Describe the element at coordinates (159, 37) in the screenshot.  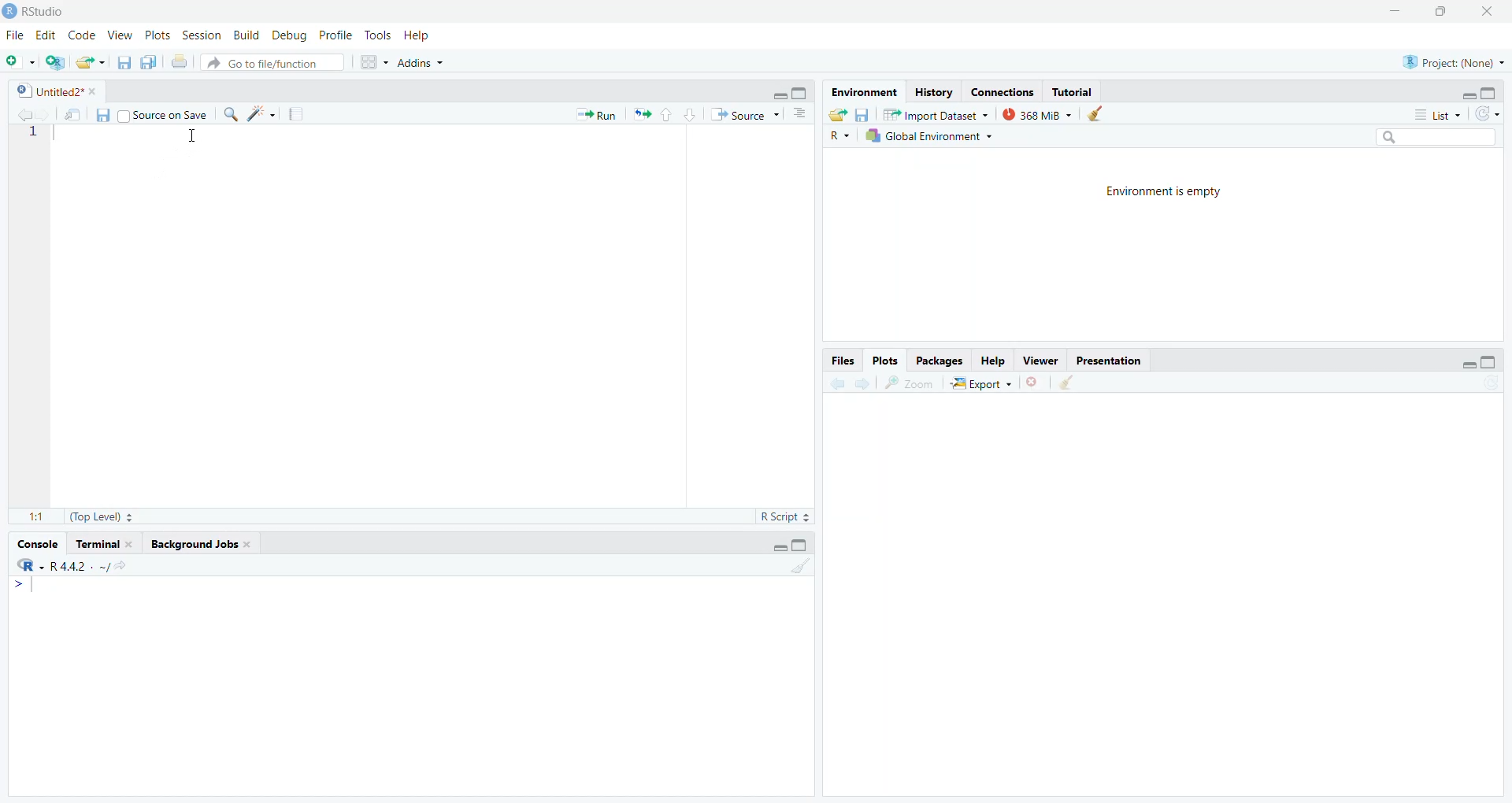
I see `v Plots` at that location.